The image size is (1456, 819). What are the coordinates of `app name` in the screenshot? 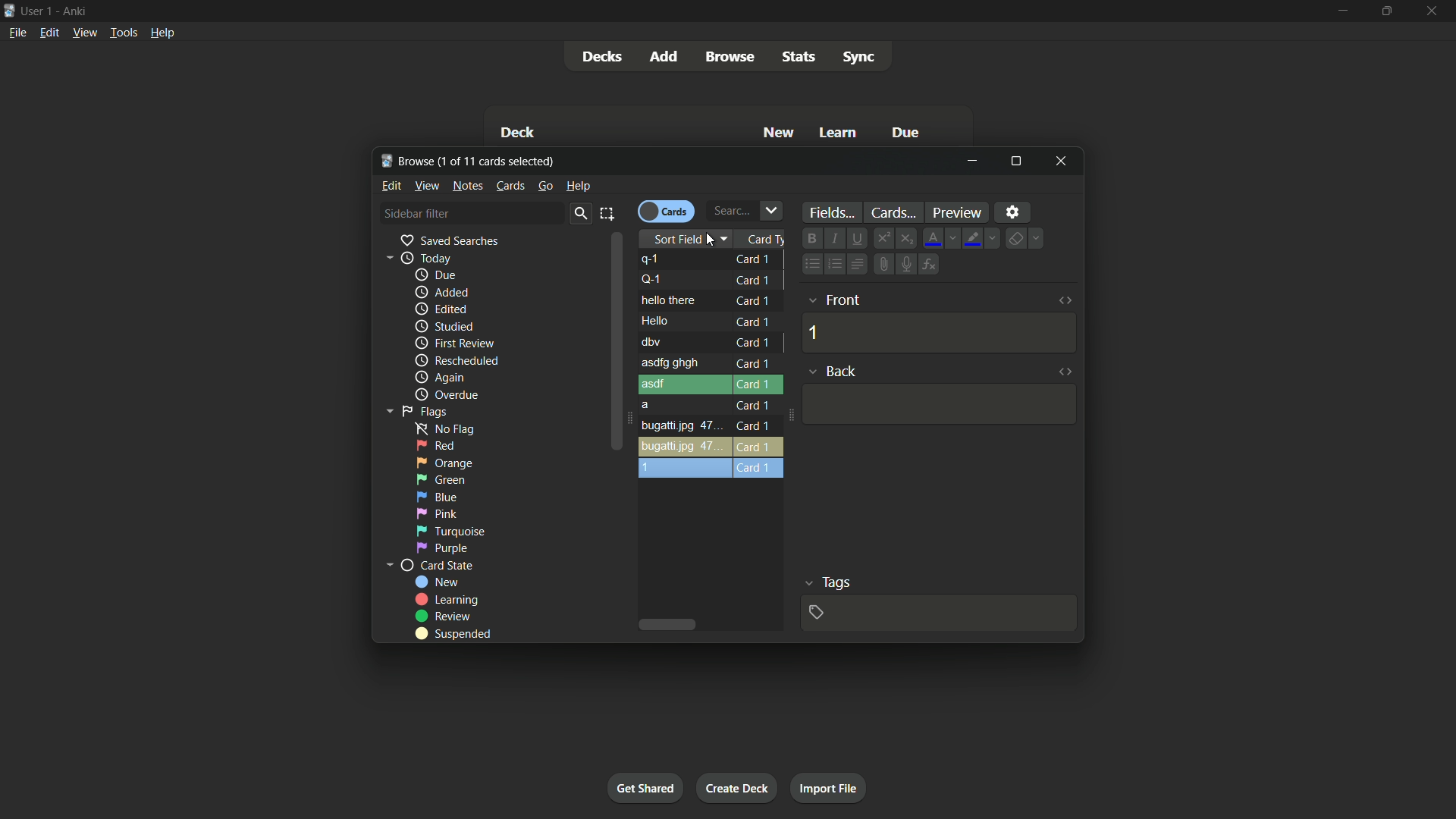 It's located at (78, 11).